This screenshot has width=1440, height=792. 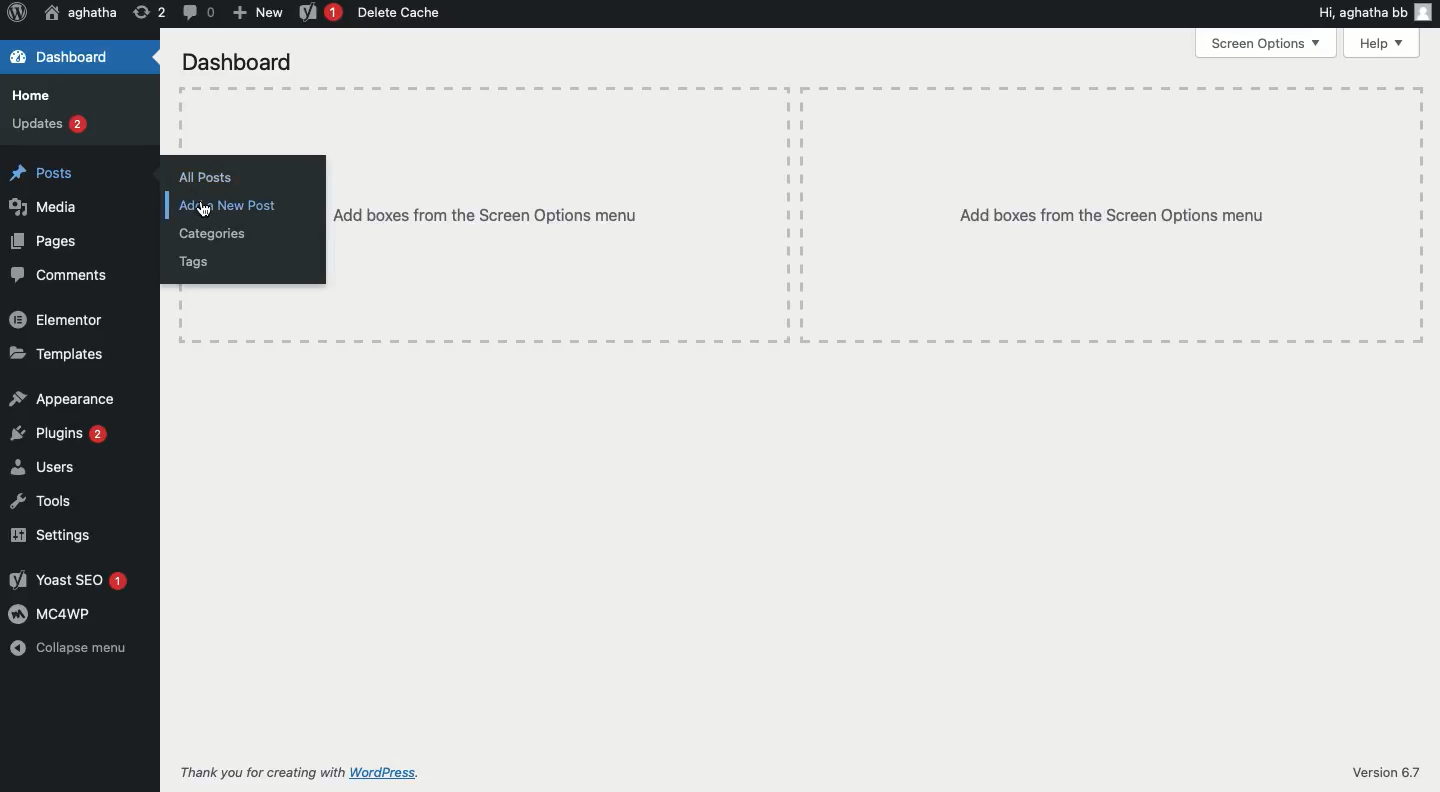 What do you see at coordinates (60, 274) in the screenshot?
I see `Comments` at bounding box center [60, 274].